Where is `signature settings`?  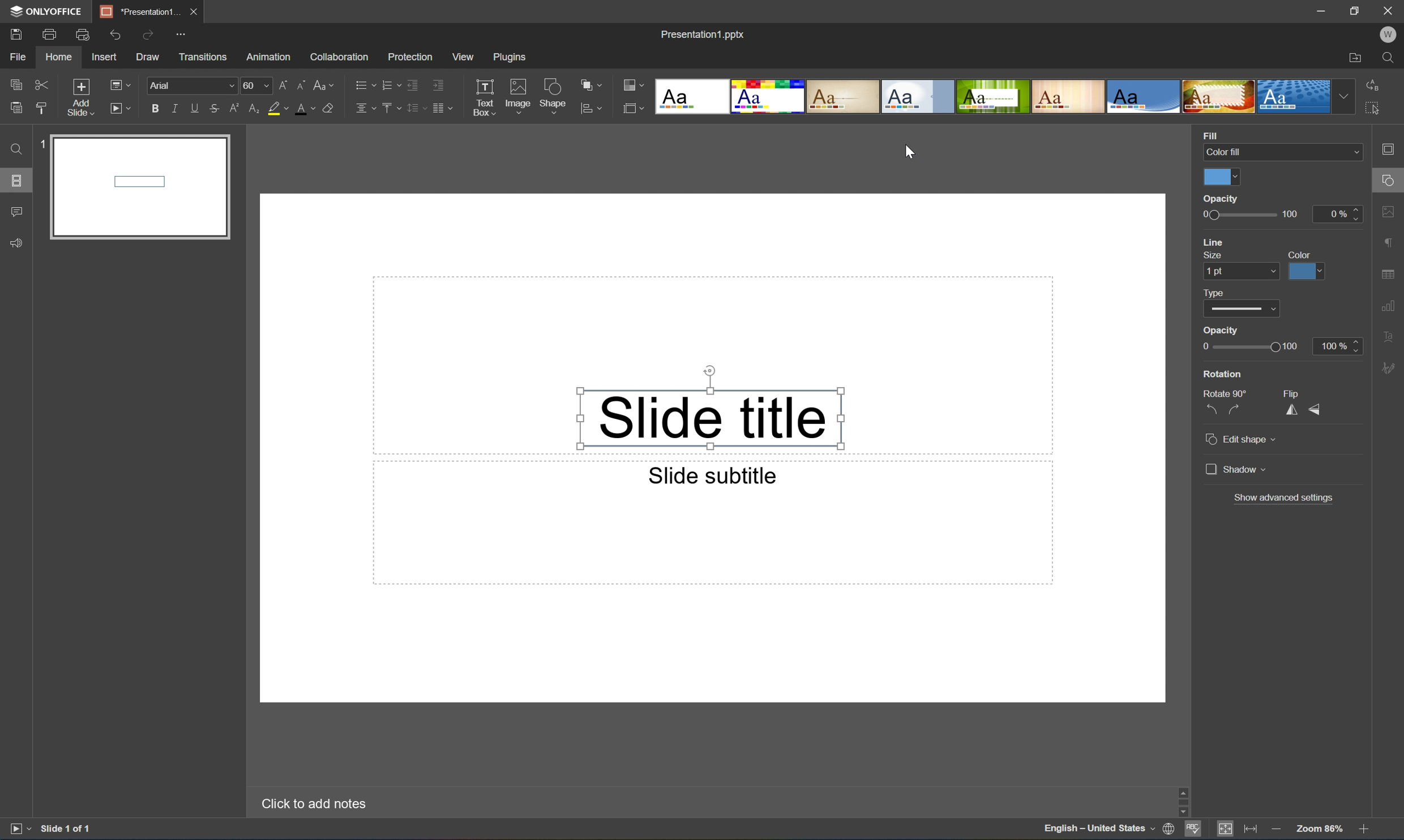
signature settings is located at coordinates (1390, 368).